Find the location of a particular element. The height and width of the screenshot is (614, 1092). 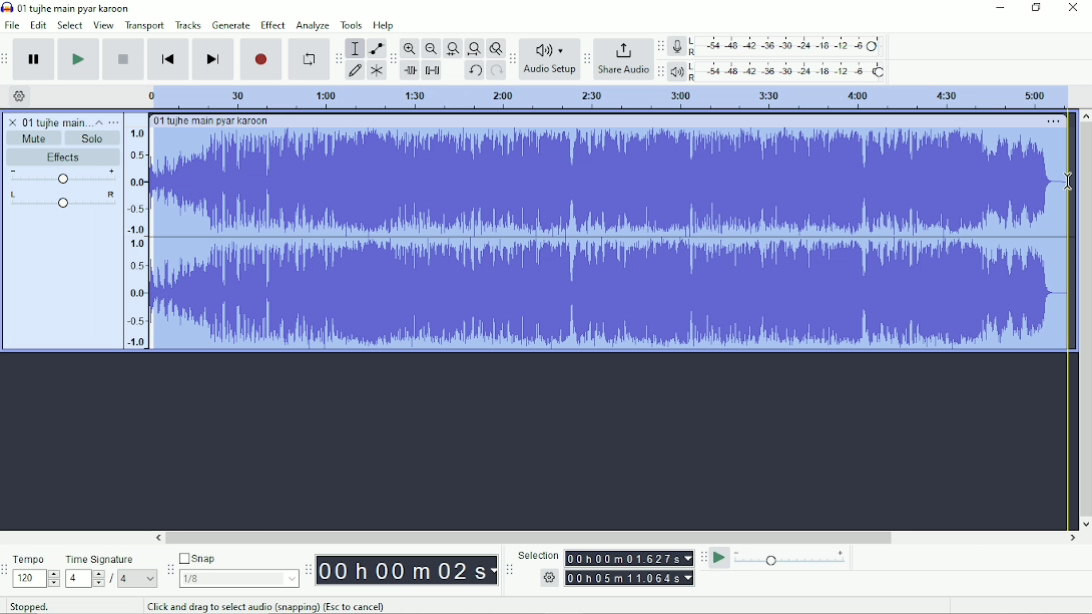

Skip to start is located at coordinates (169, 59).